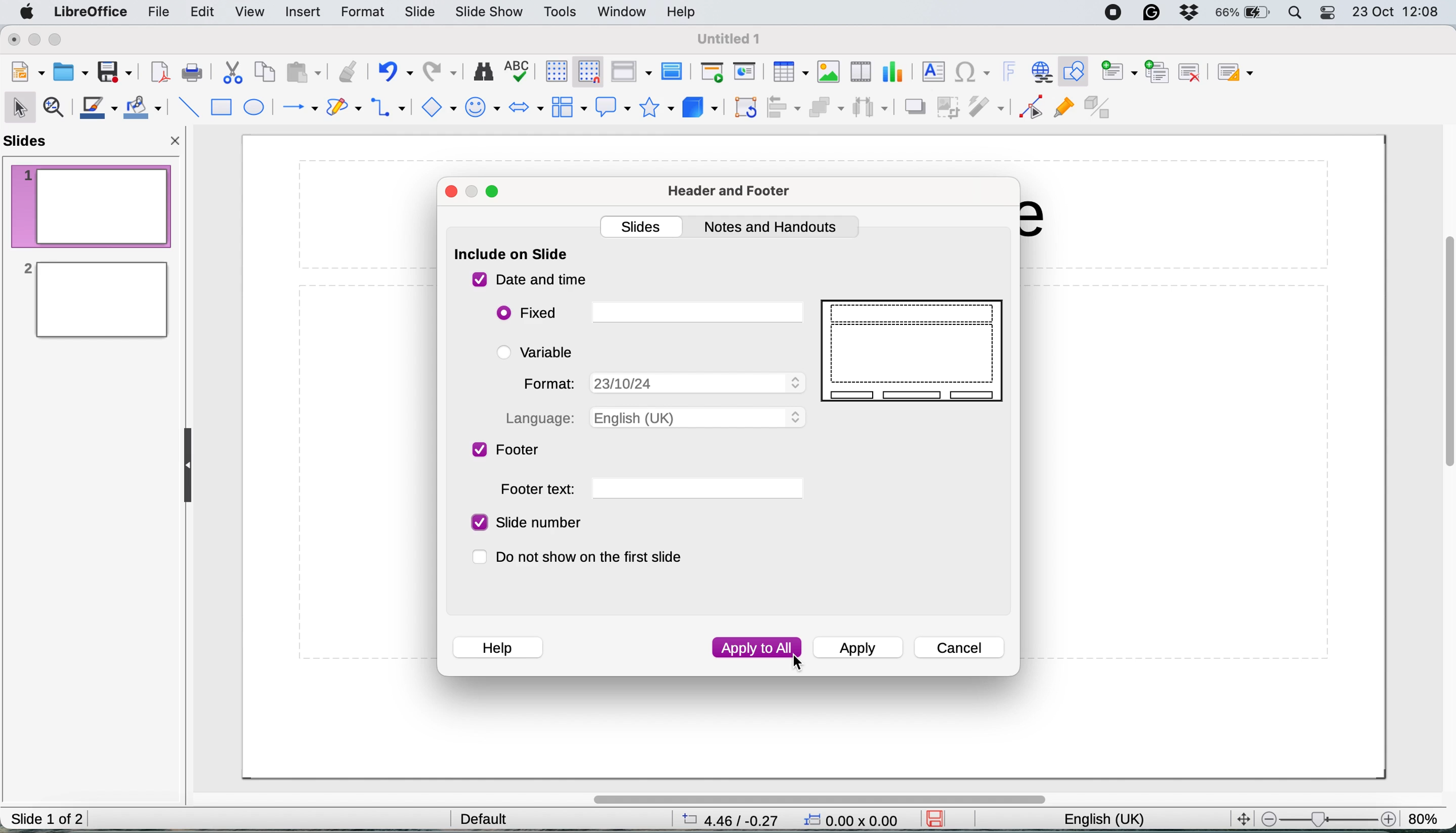 The height and width of the screenshot is (833, 1456). What do you see at coordinates (192, 73) in the screenshot?
I see `print` at bounding box center [192, 73].